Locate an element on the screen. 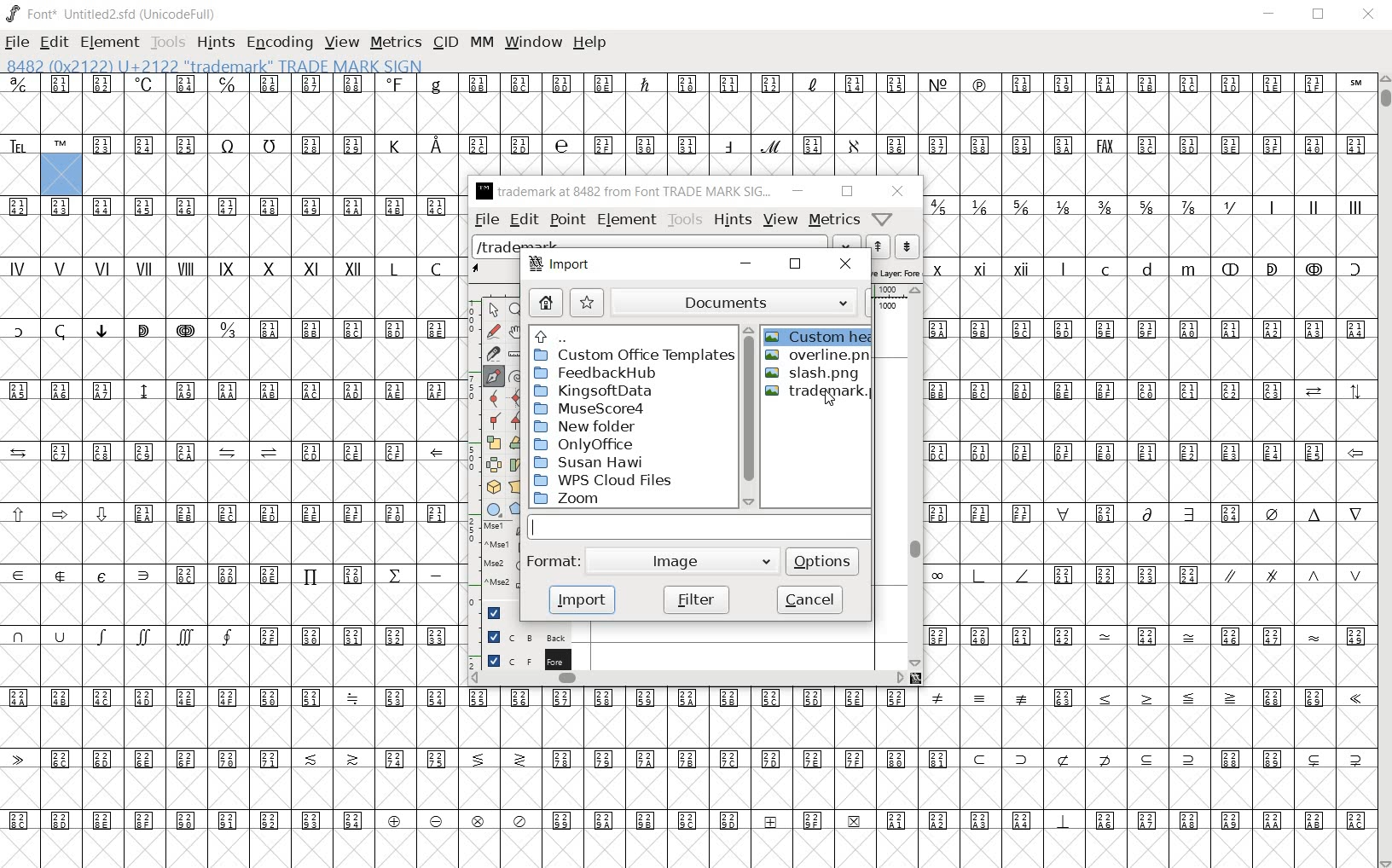  skew the selection is located at coordinates (519, 465).